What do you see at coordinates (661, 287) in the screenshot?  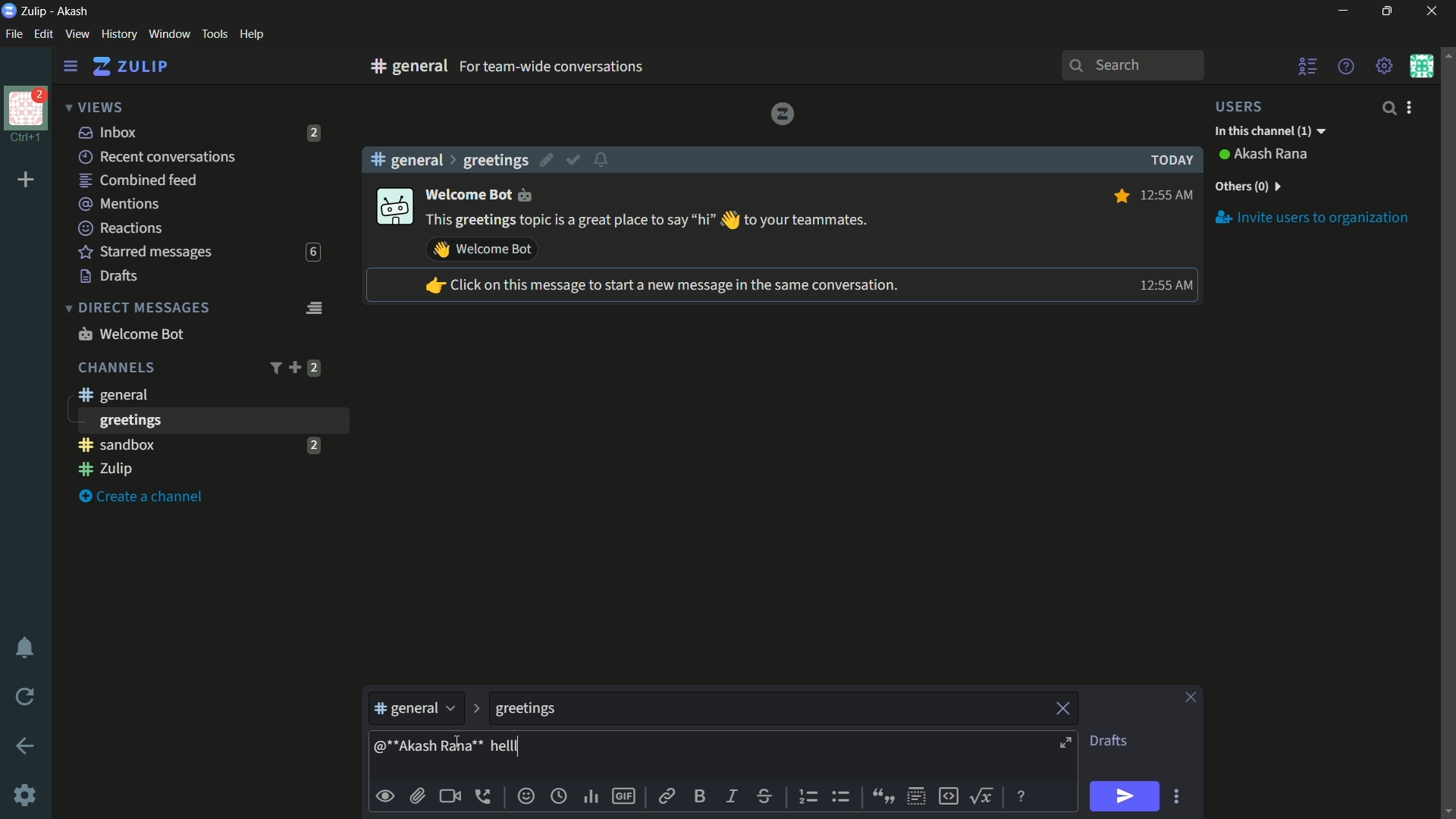 I see `Click on this message to start a new message in the same conversation` at bounding box center [661, 287].